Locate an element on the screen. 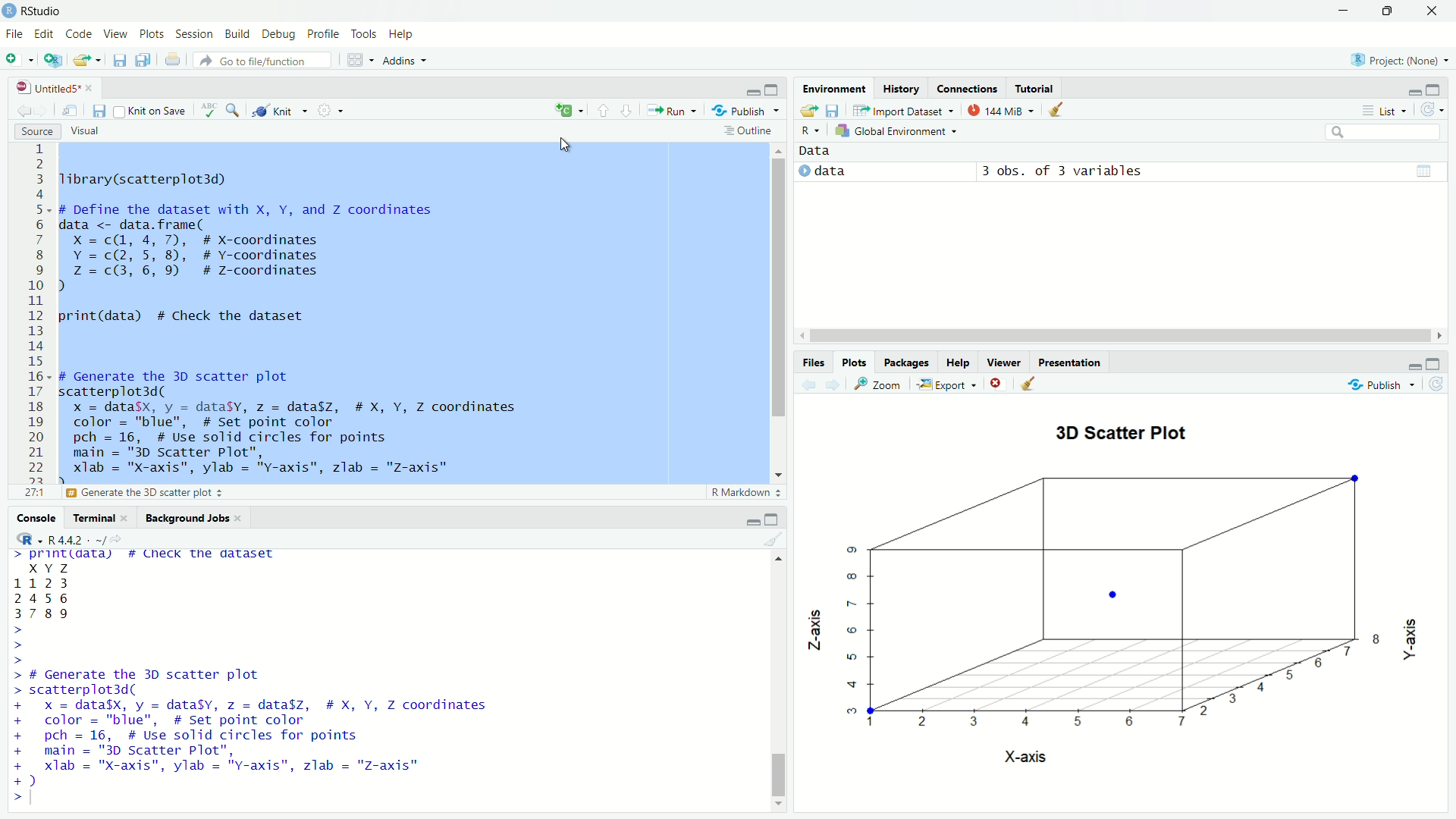 This screenshot has height=819, width=1456. create a project is located at coordinates (54, 61).